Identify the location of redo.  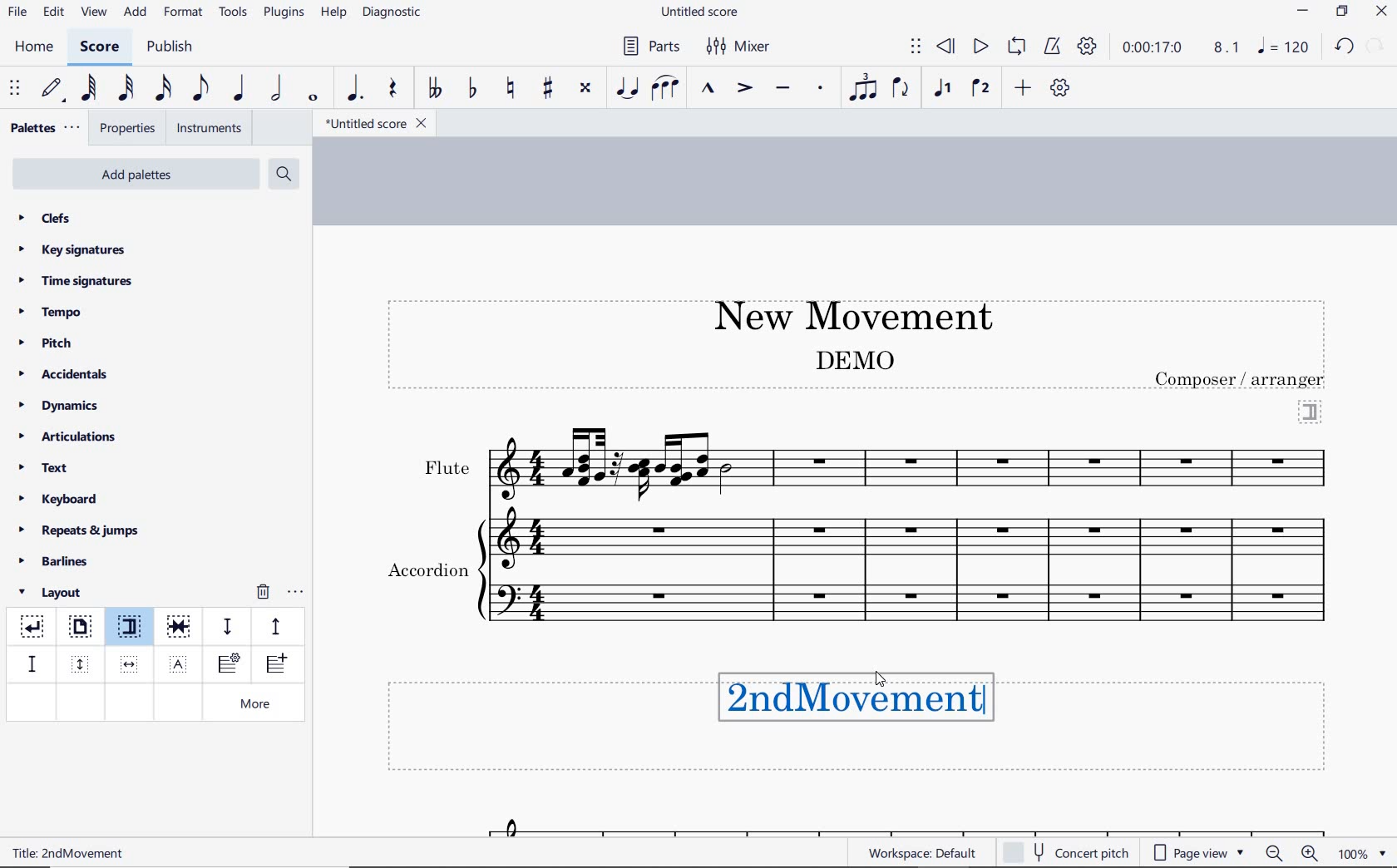
(1377, 45).